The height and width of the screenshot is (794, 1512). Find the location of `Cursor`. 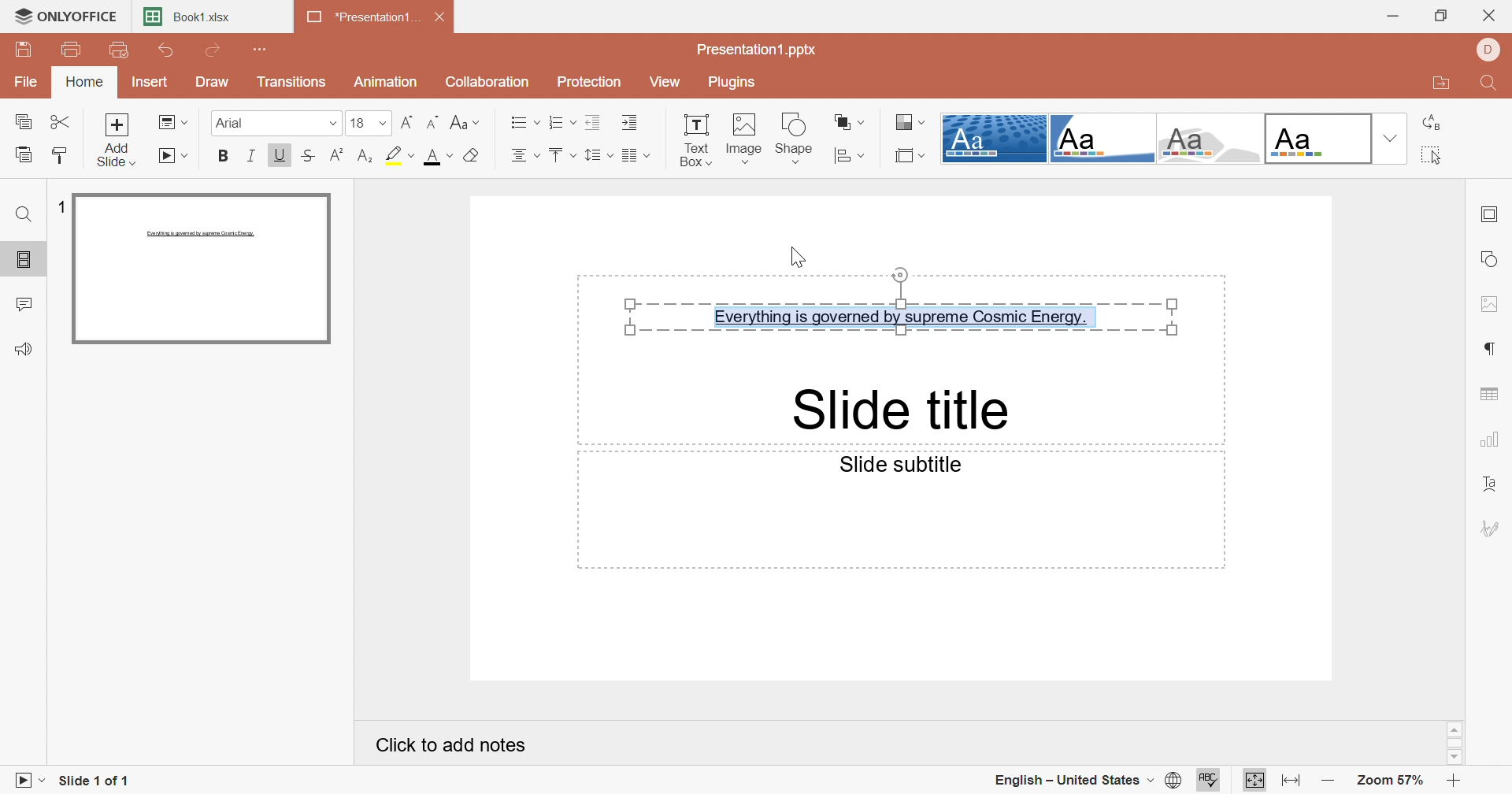

Cursor is located at coordinates (799, 258).